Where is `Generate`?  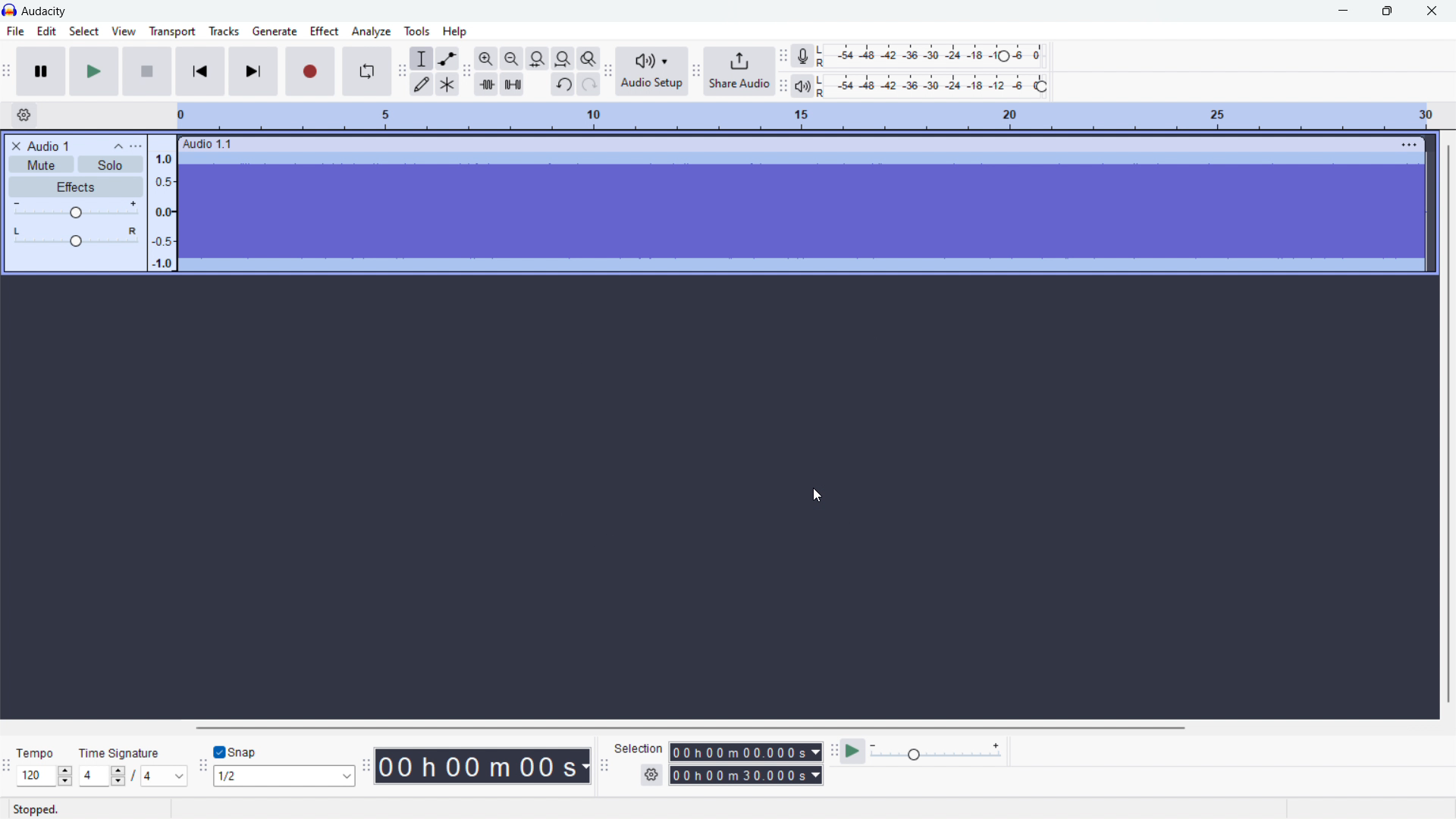
Generate is located at coordinates (274, 31).